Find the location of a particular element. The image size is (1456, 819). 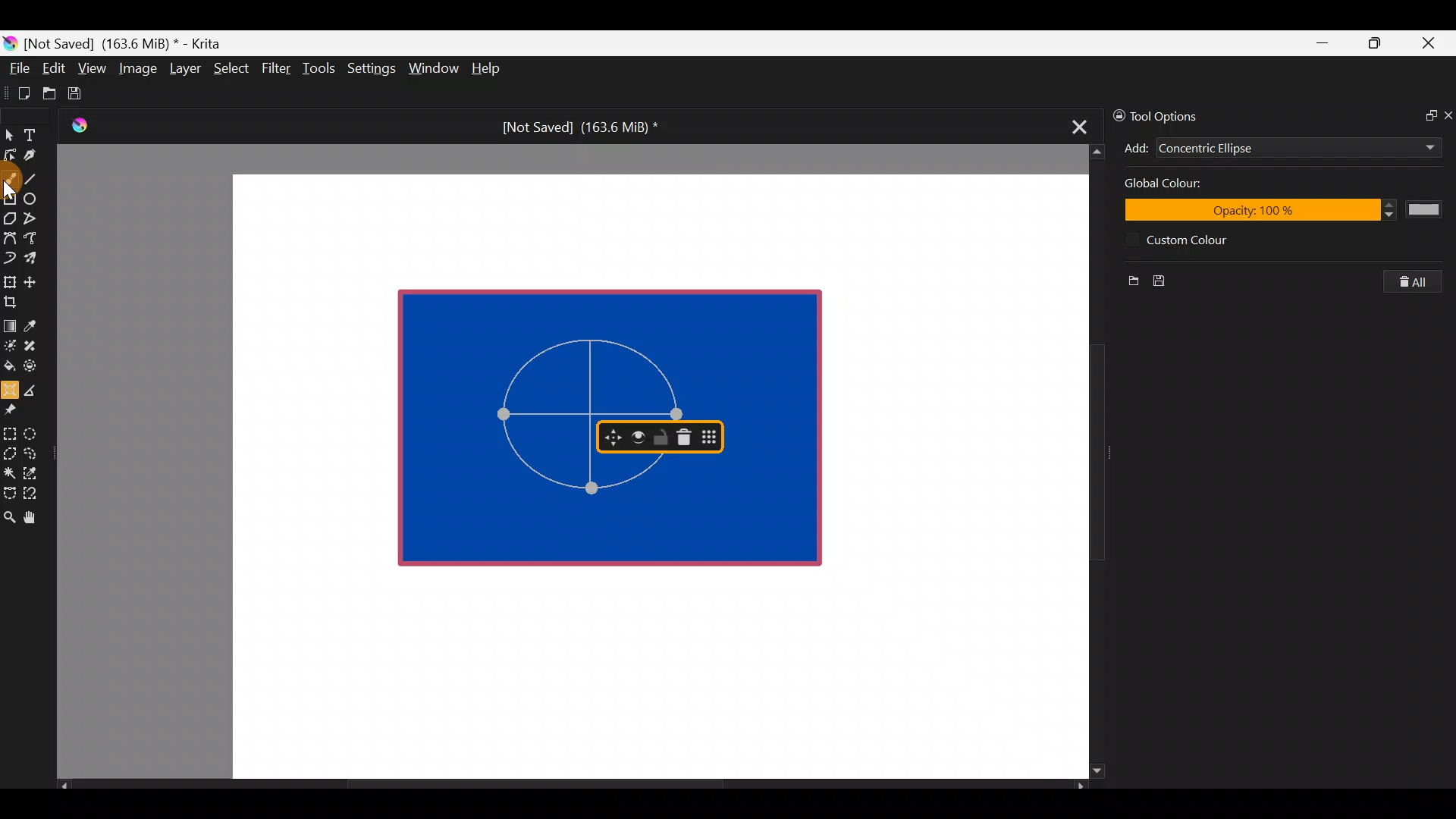

Smart patch tool is located at coordinates (35, 345).